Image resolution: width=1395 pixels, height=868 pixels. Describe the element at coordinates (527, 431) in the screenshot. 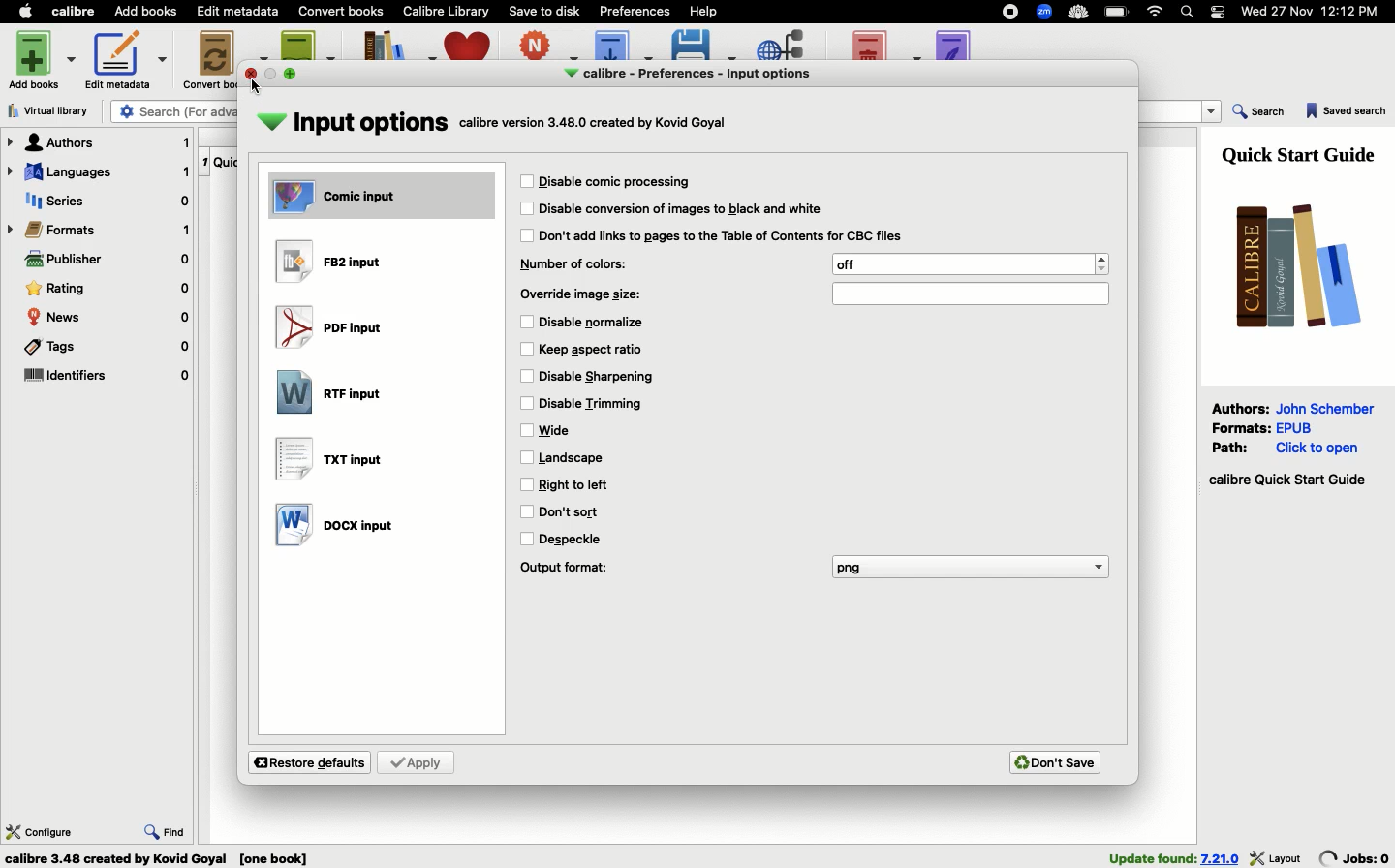

I see `Checkbox` at that location.